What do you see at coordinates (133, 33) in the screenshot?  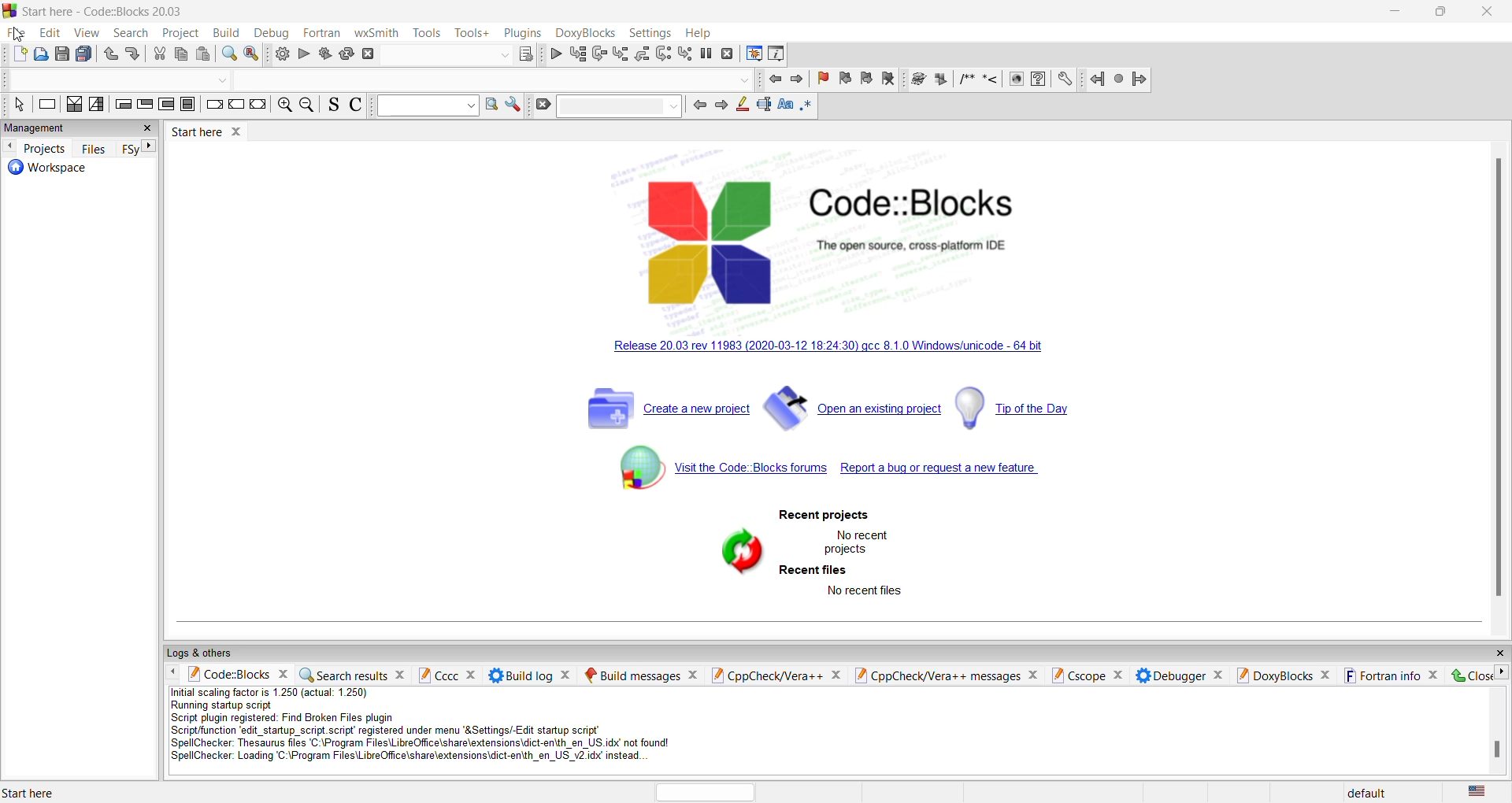 I see `search` at bounding box center [133, 33].